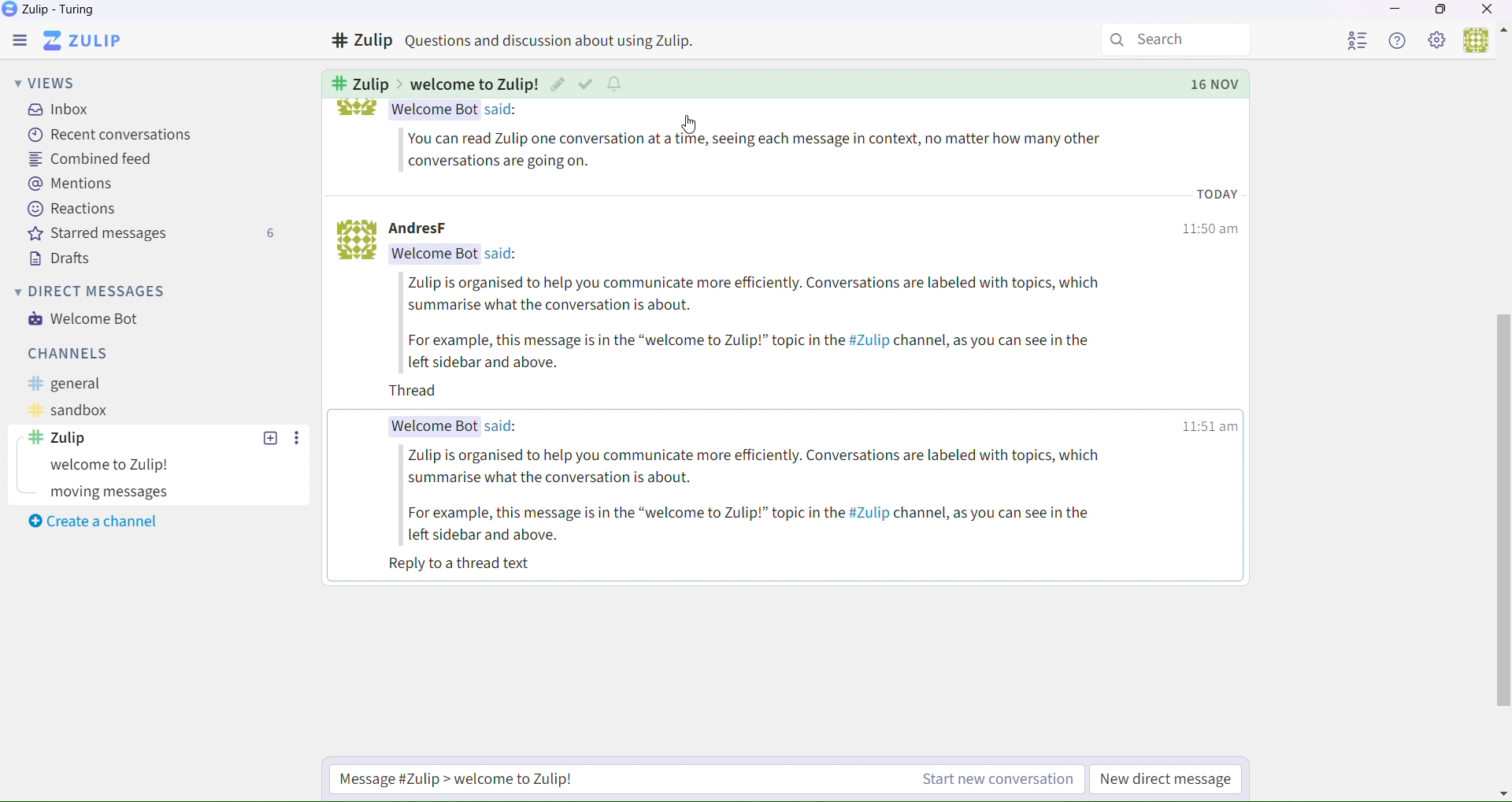  Describe the element at coordinates (96, 492) in the screenshot. I see `Zulip` at that location.